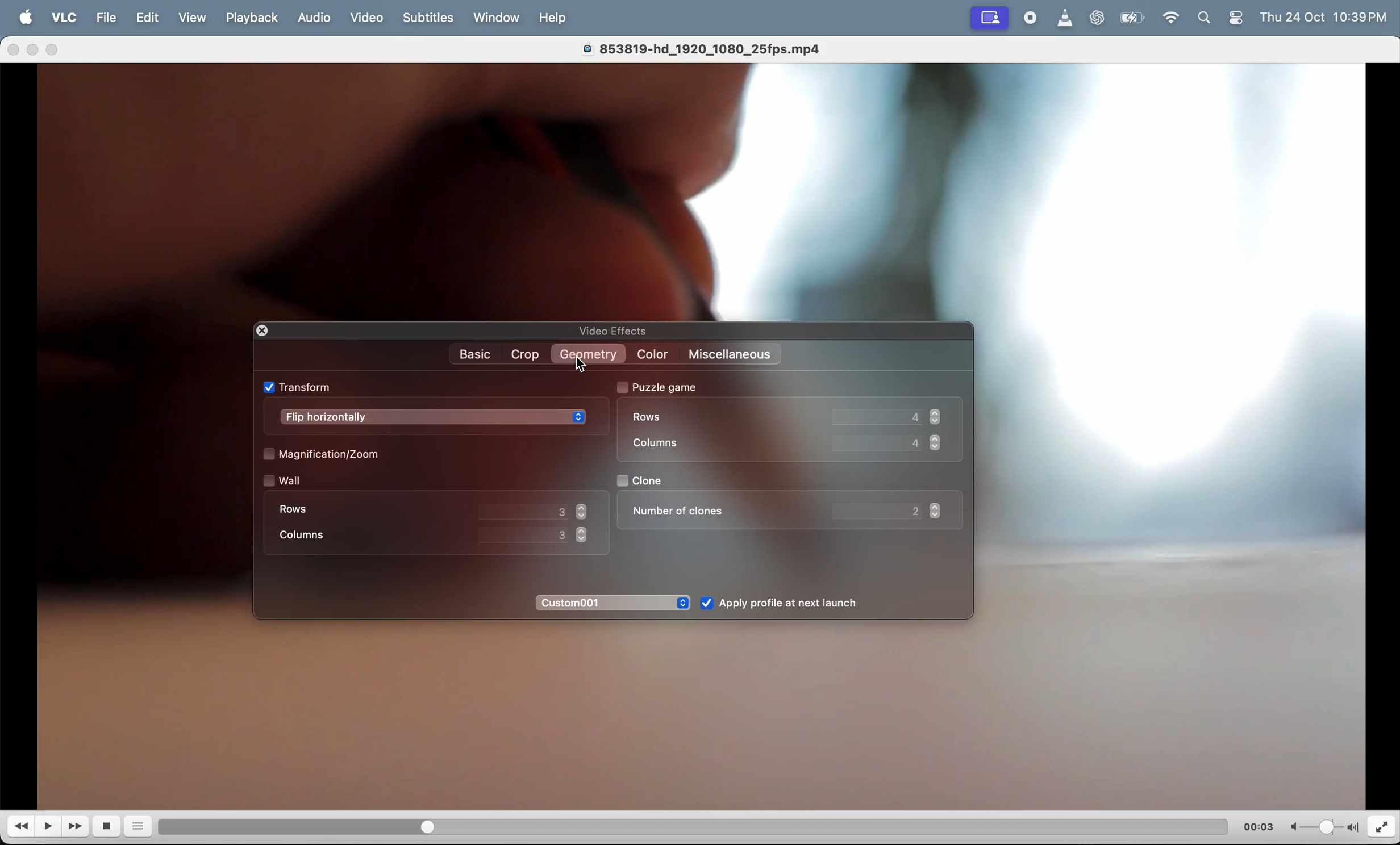 The image size is (1400, 845). I want to click on closing window, so click(266, 332).